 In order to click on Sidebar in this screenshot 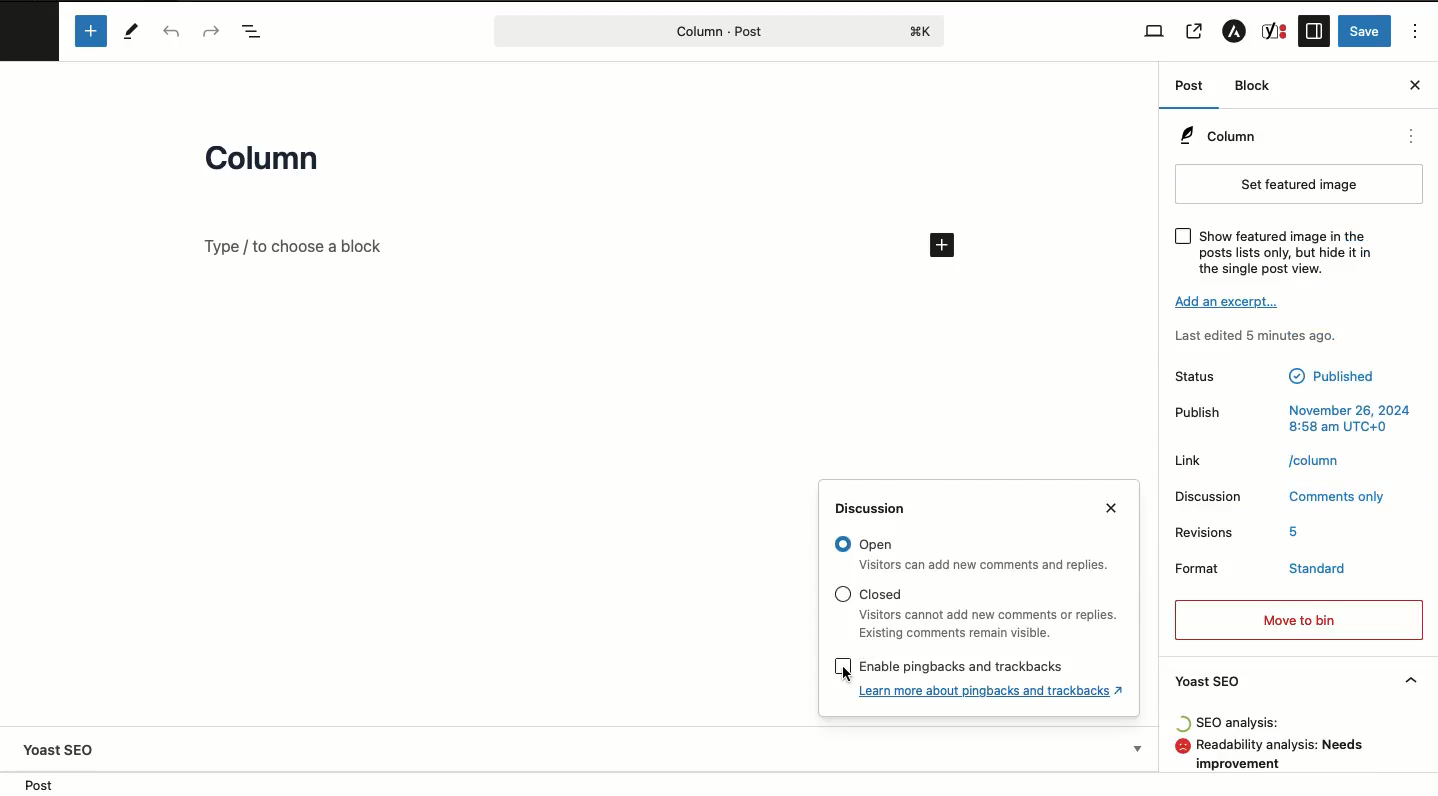, I will do `click(1314, 31)`.